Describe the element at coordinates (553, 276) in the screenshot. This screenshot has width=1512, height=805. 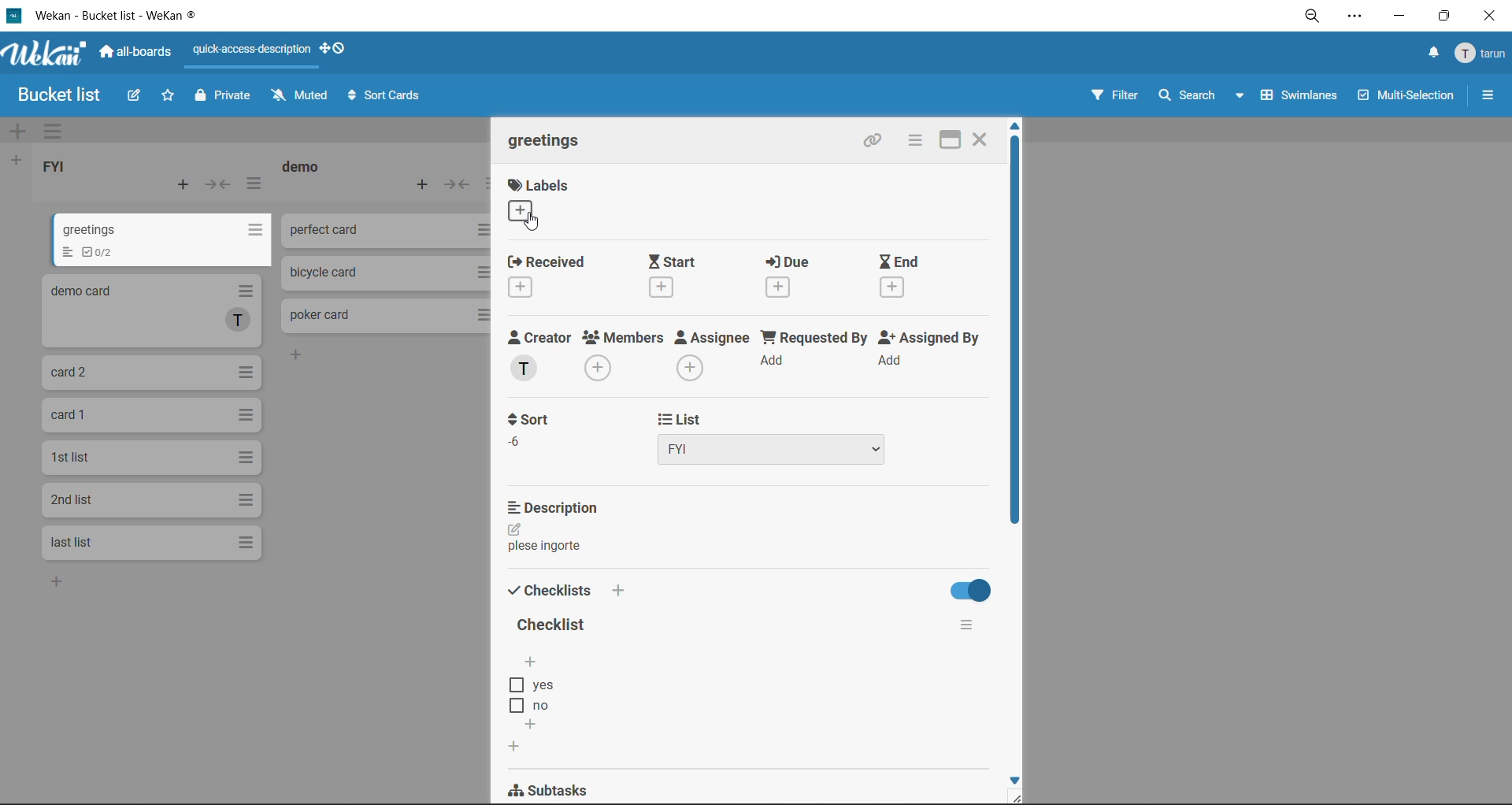
I see `received` at that location.